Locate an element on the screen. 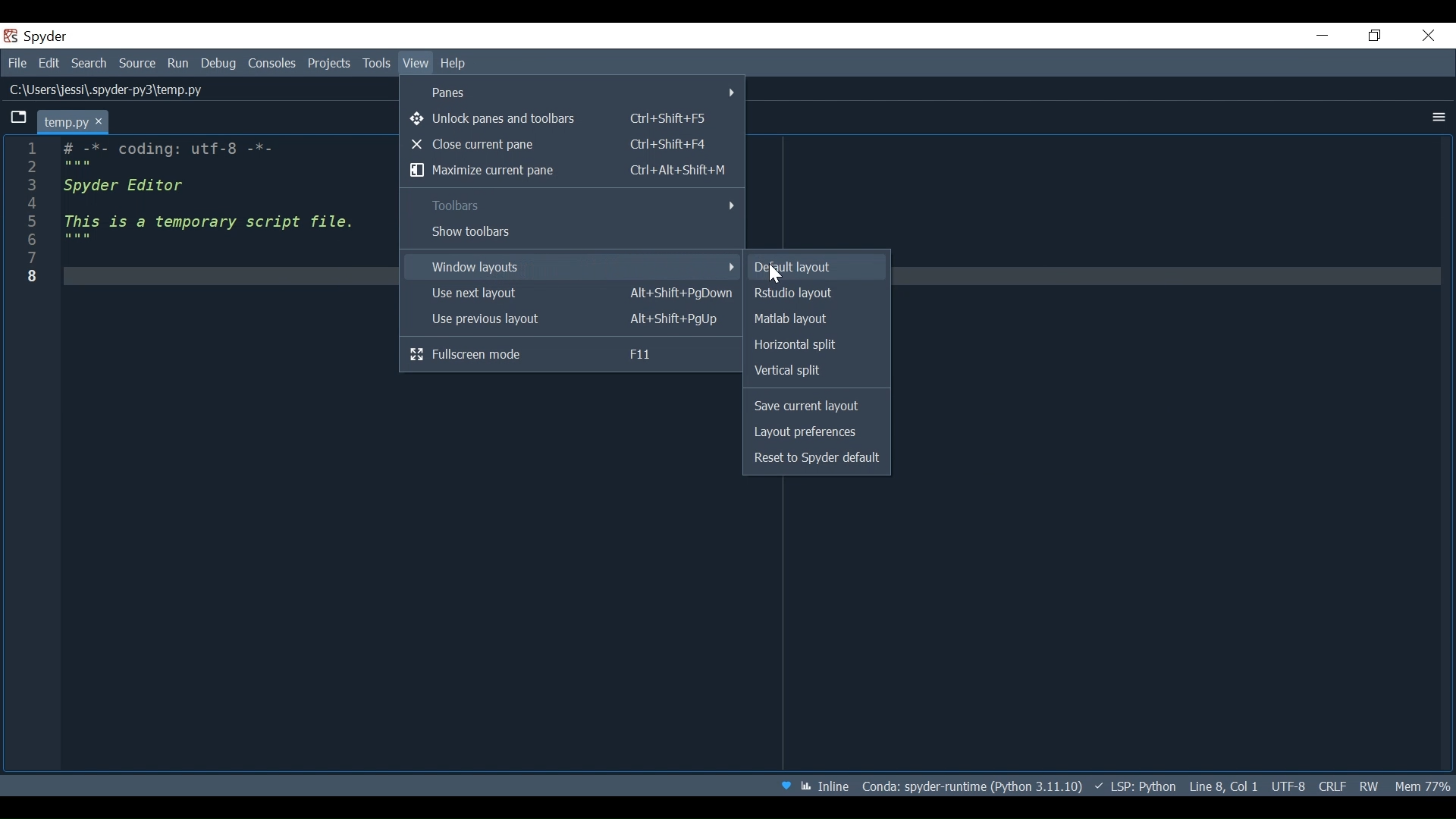 This screenshot has height=819, width=1456. View is located at coordinates (416, 64).